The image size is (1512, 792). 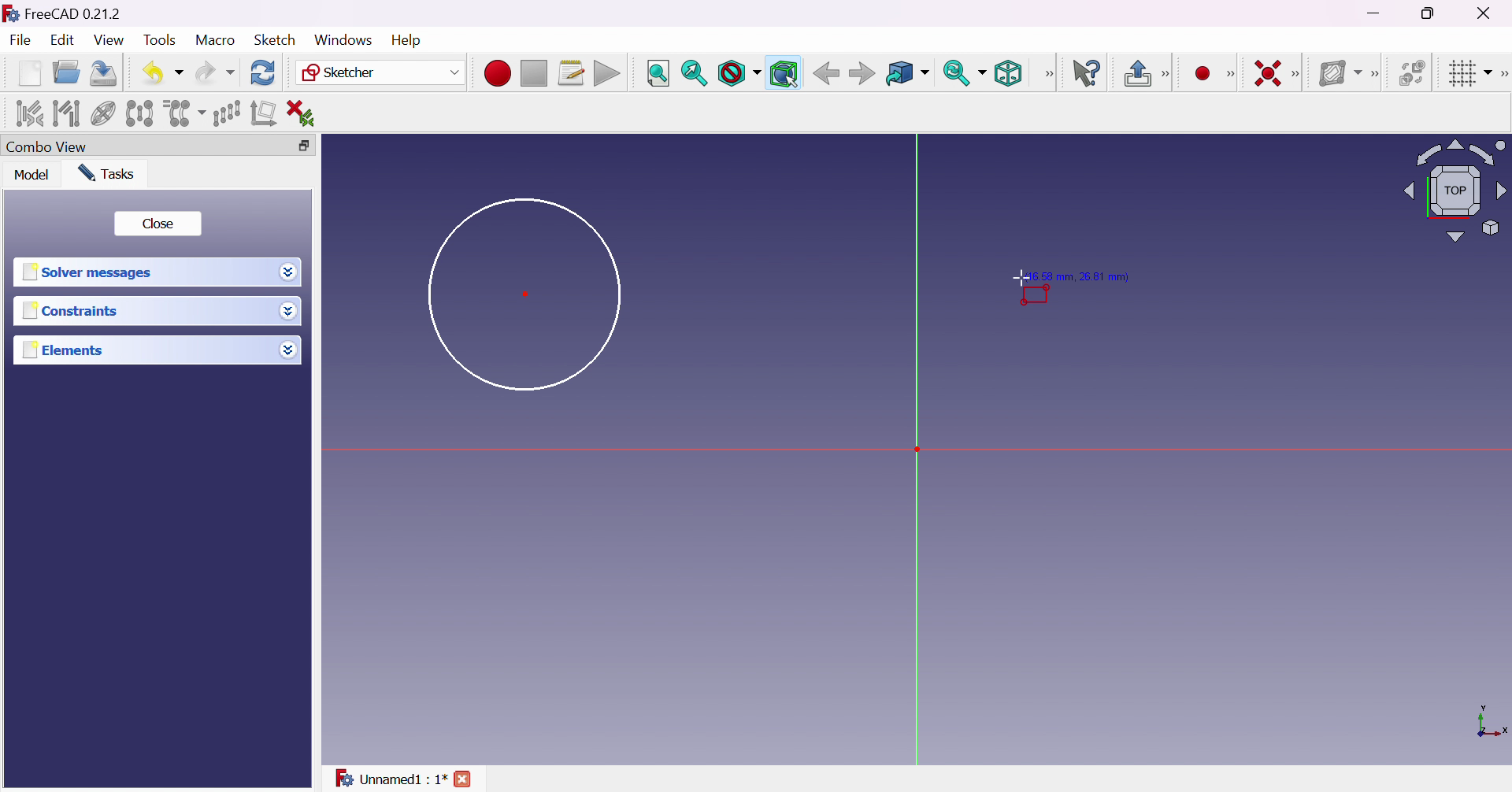 What do you see at coordinates (1266, 73) in the screenshot?
I see `Constrain coincident` at bounding box center [1266, 73].